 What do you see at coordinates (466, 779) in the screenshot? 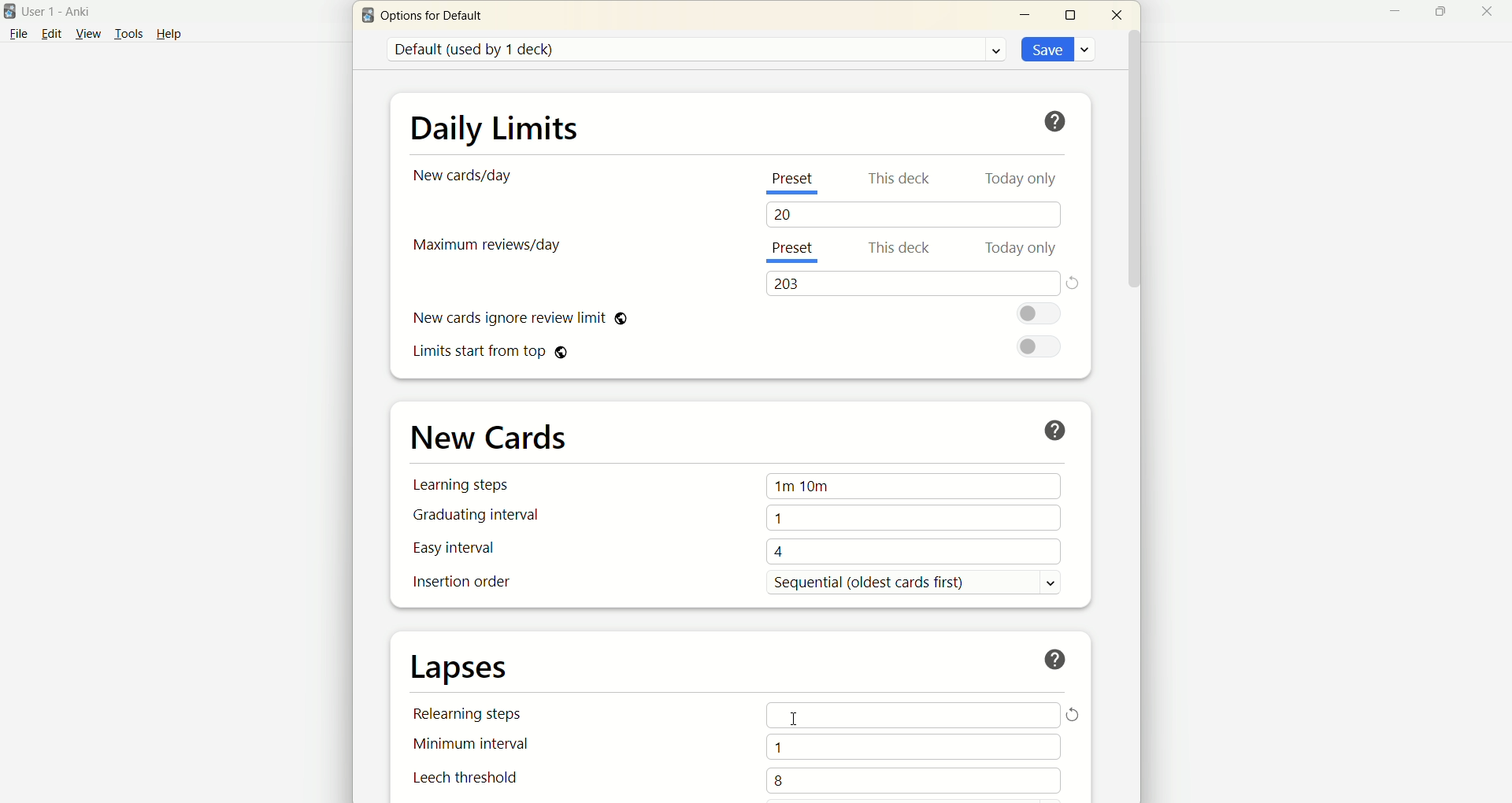
I see `leech threshold` at bounding box center [466, 779].